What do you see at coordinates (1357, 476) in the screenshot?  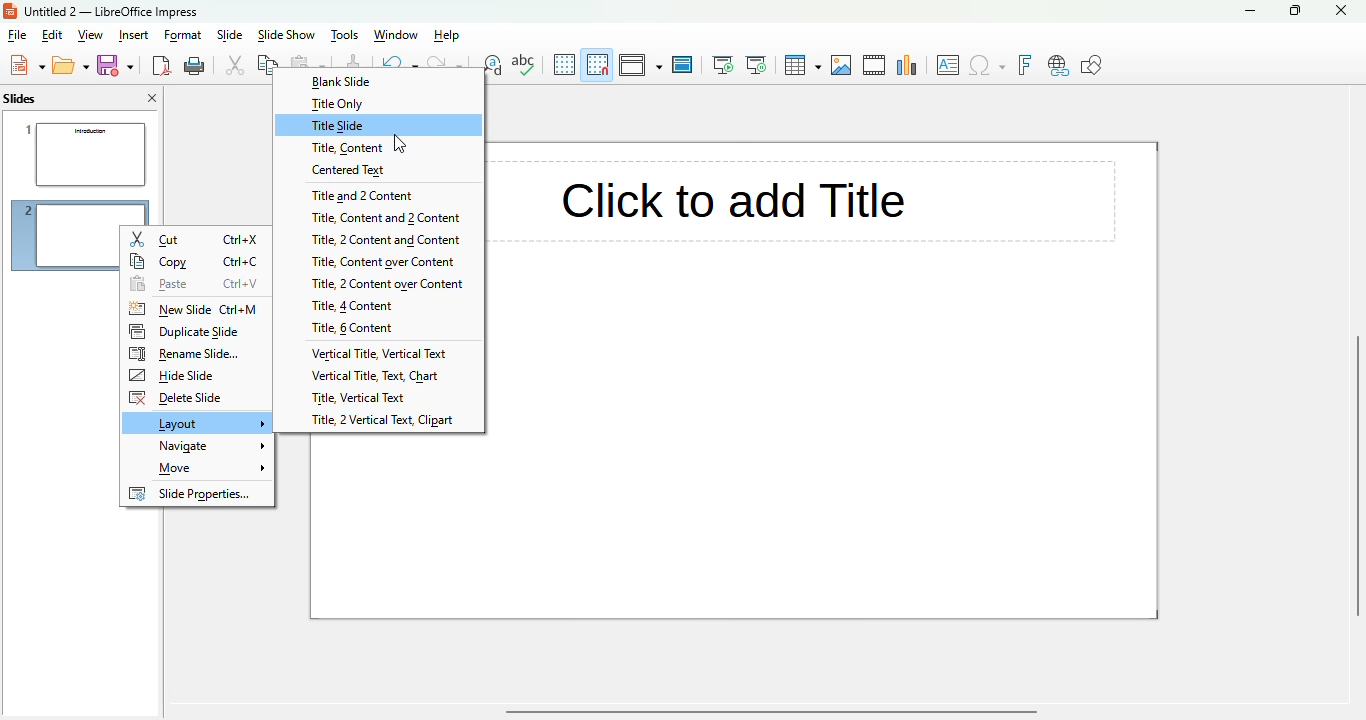 I see `vertical scrollbar` at bounding box center [1357, 476].